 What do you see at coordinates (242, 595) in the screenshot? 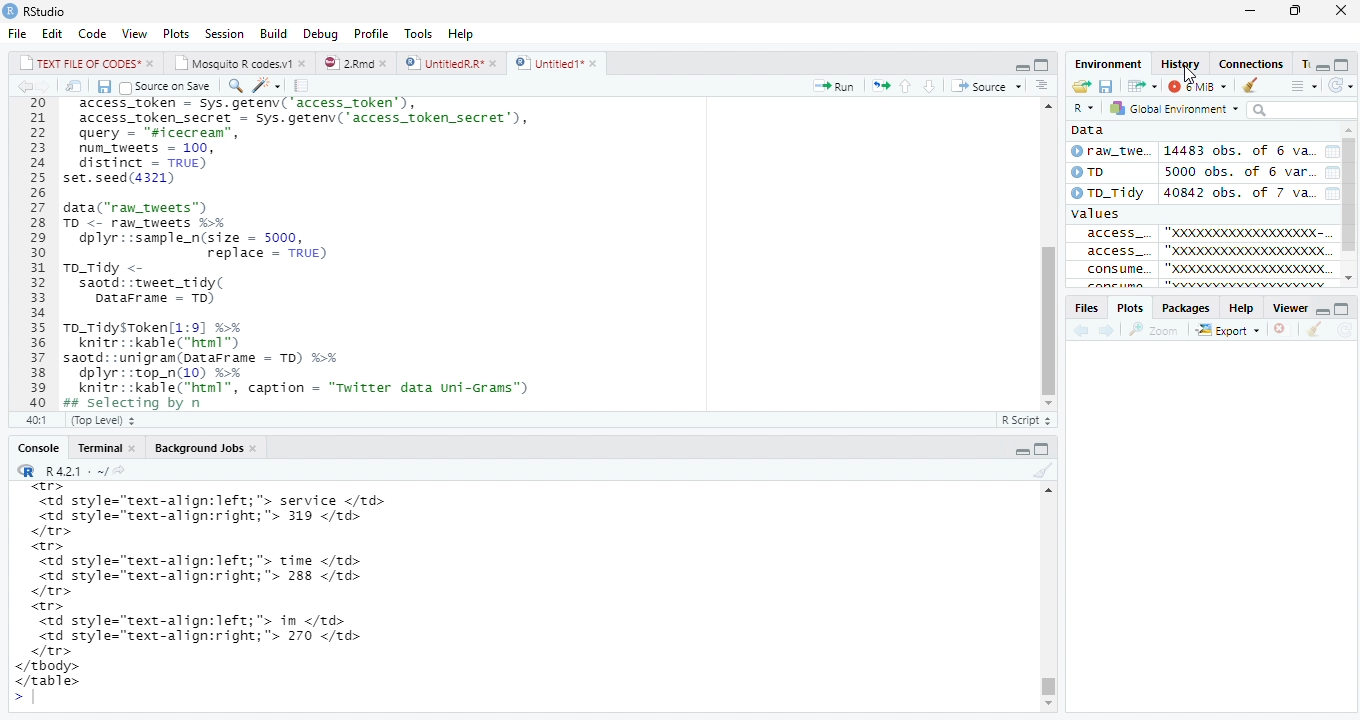
I see `<tr>
<td style="text-align:left; "> service </td>
<td style="text-align:right;"> 319 </td>
</tr>
<tr>
<td style="text-align:left; "> time </td>
<td style="text-align:right;"> 288 </td>
</tr>
<tr>
<td style="text-align:left; "> in </td>
<td style="text-align:right;"> 270 </td>
</tr>

</tbody>

</table>

>` at bounding box center [242, 595].